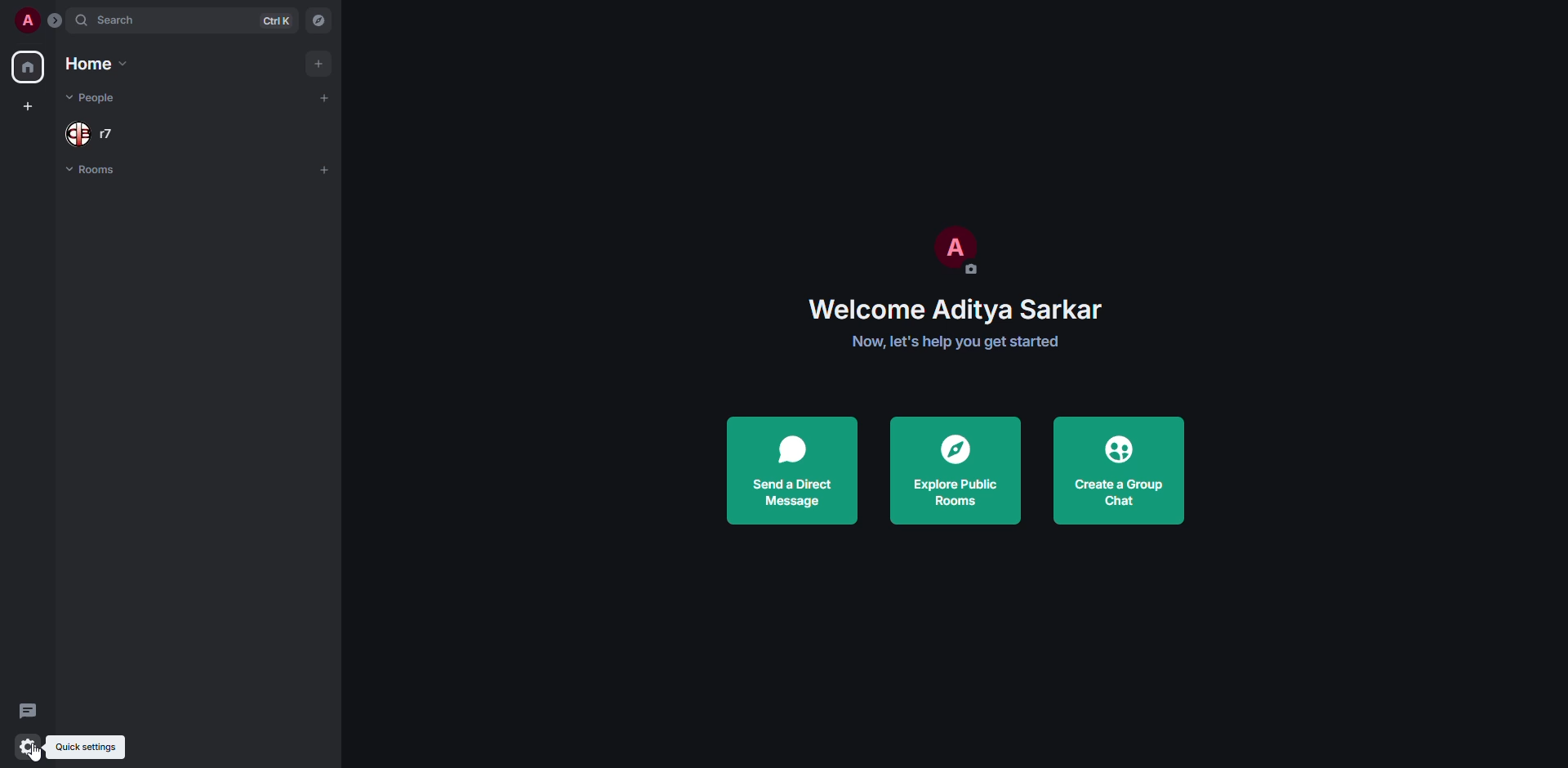  I want to click on cursor, so click(37, 753).